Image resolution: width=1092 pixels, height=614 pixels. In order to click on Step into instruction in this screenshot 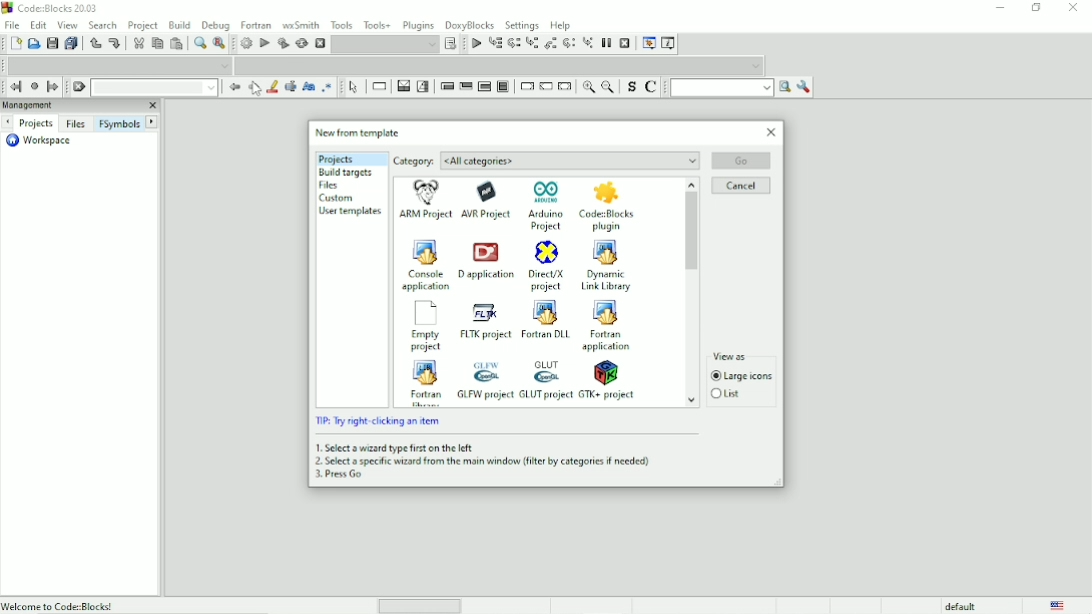, I will do `click(588, 44)`.